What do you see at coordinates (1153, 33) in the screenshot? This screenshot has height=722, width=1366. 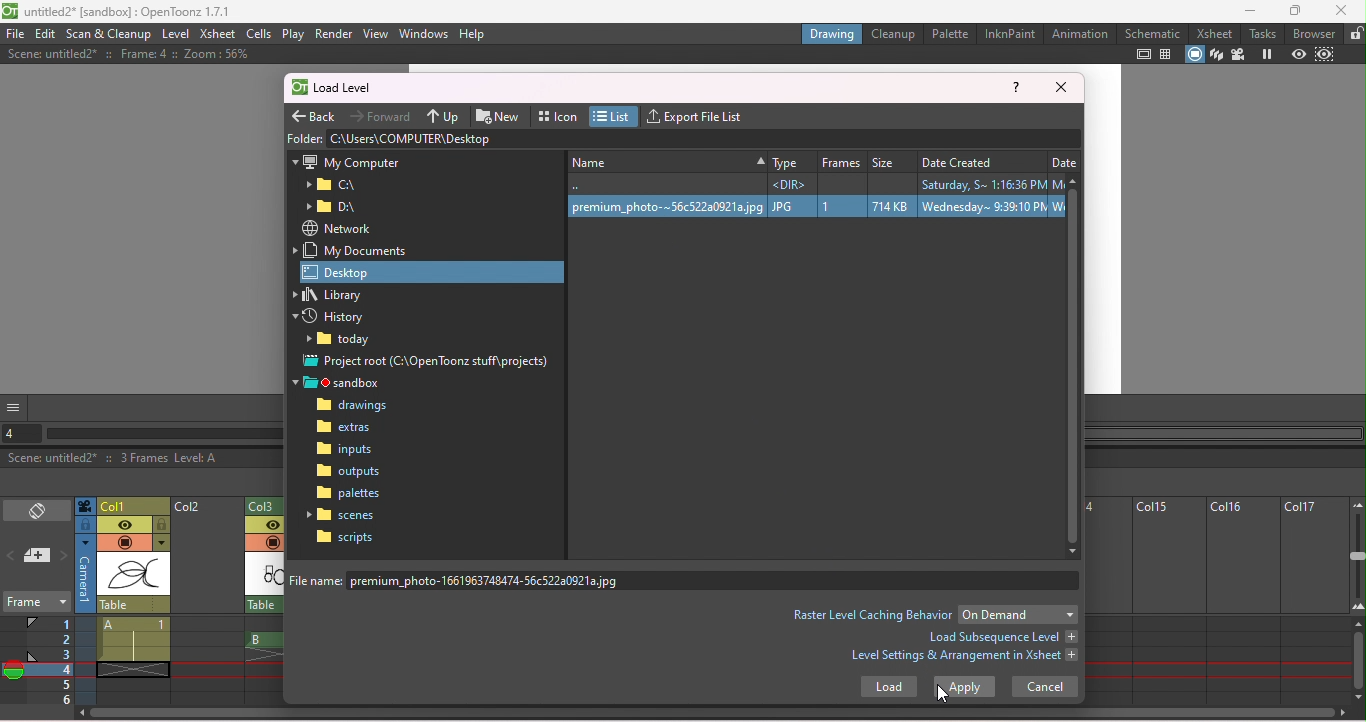 I see `Schematic` at bounding box center [1153, 33].